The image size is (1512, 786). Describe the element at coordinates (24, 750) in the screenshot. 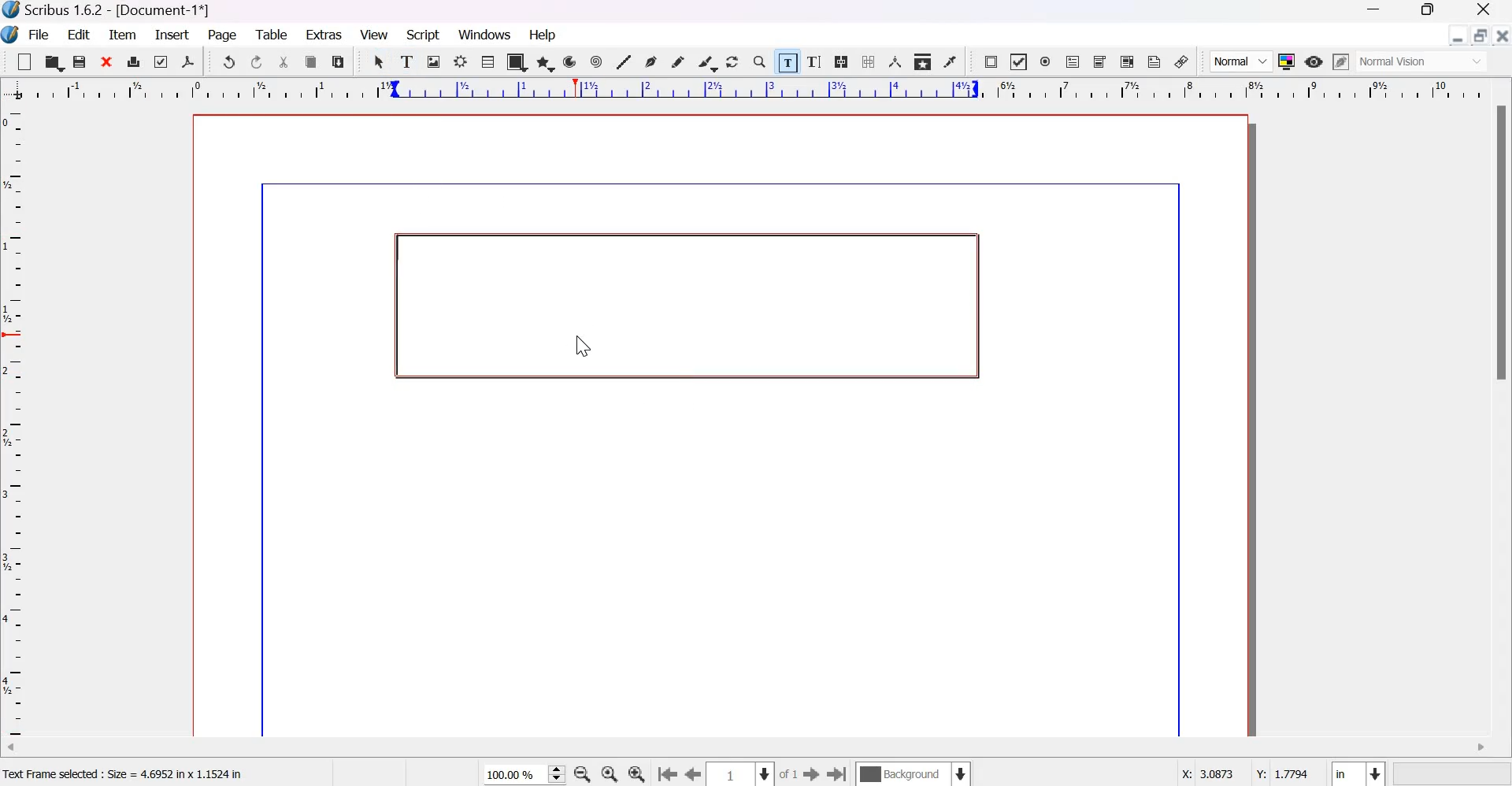

I see `Scroll left` at that location.